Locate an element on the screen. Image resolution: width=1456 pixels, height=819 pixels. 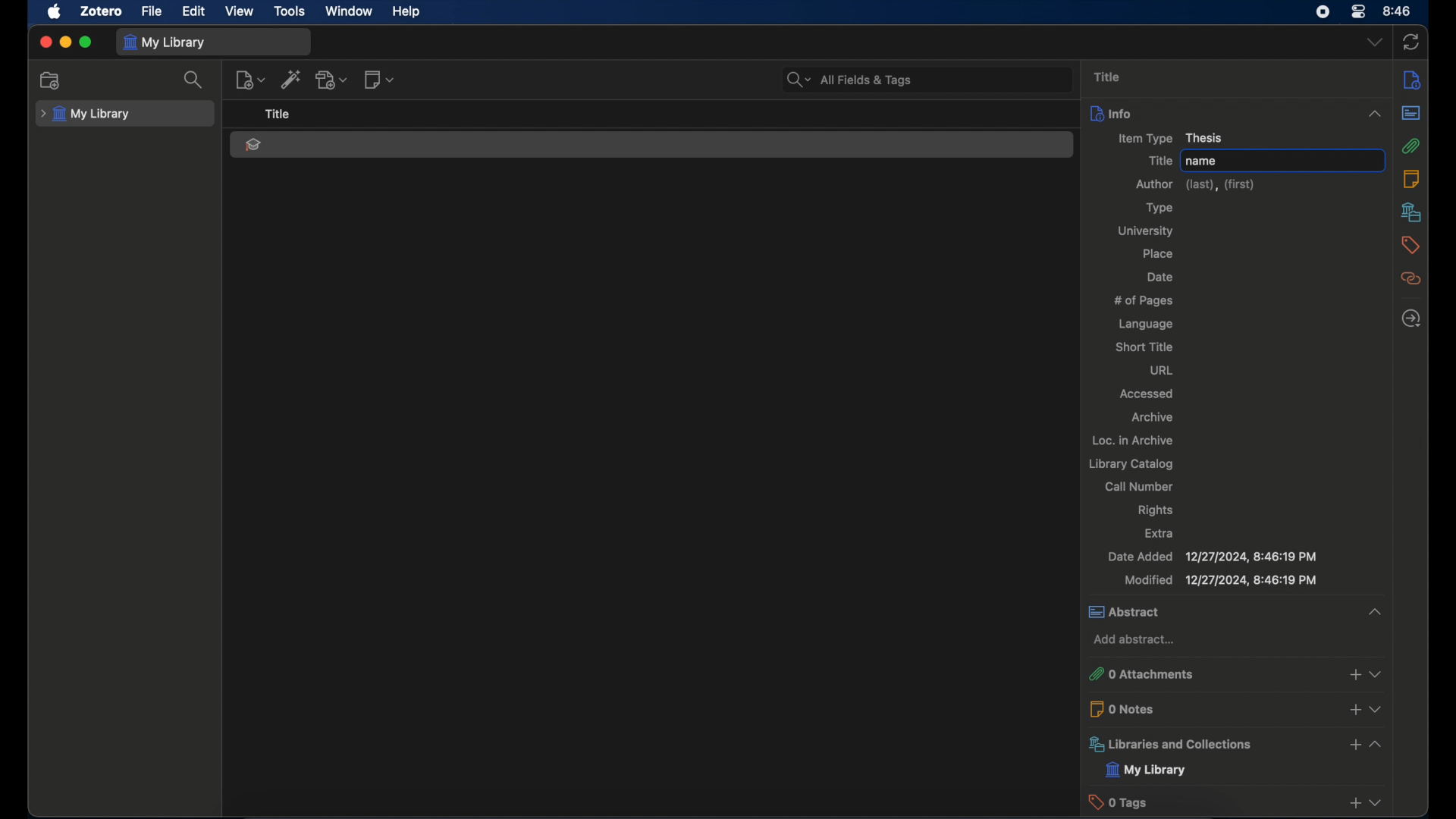
dropdown is located at coordinates (1376, 709).